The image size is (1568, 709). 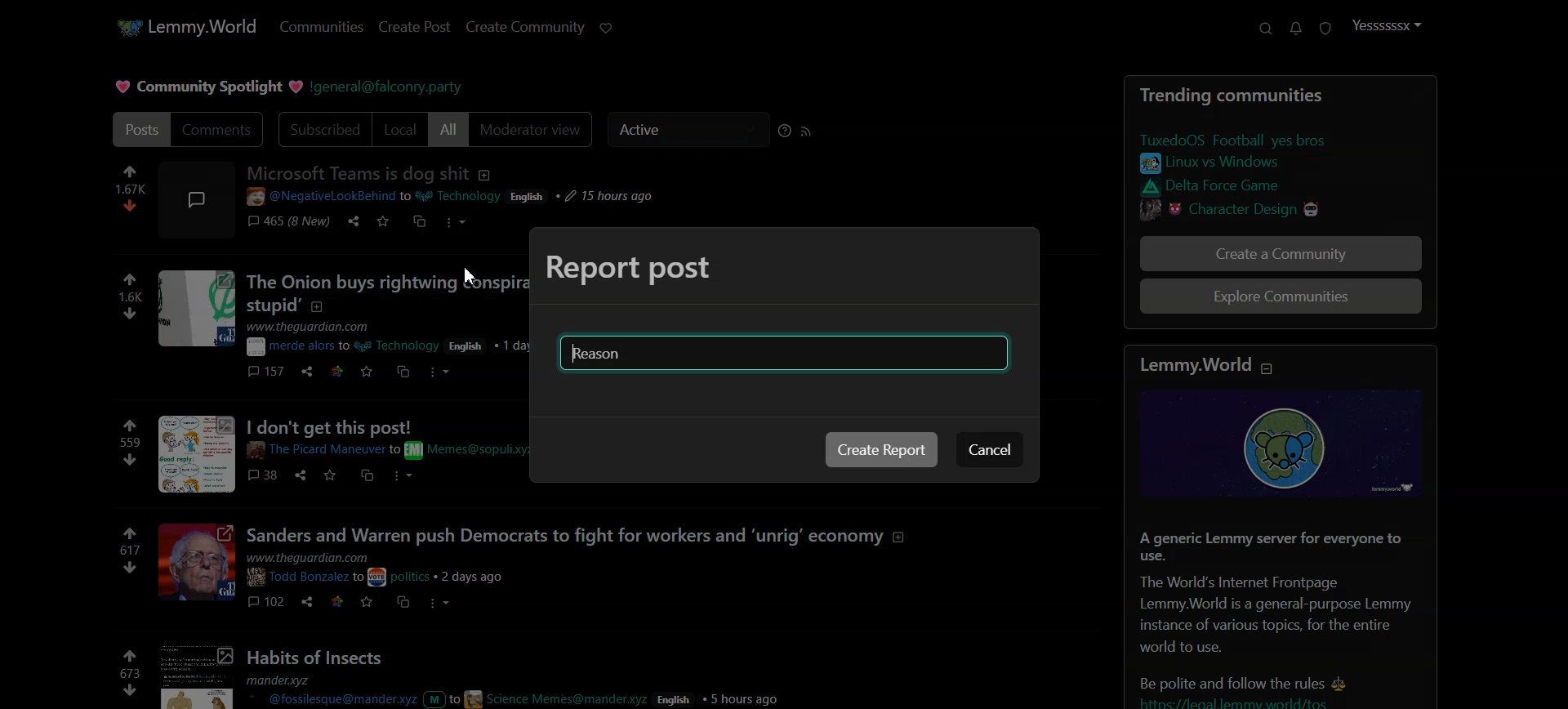 What do you see at coordinates (1557, 354) in the screenshot?
I see `Vertical scroll bar` at bounding box center [1557, 354].